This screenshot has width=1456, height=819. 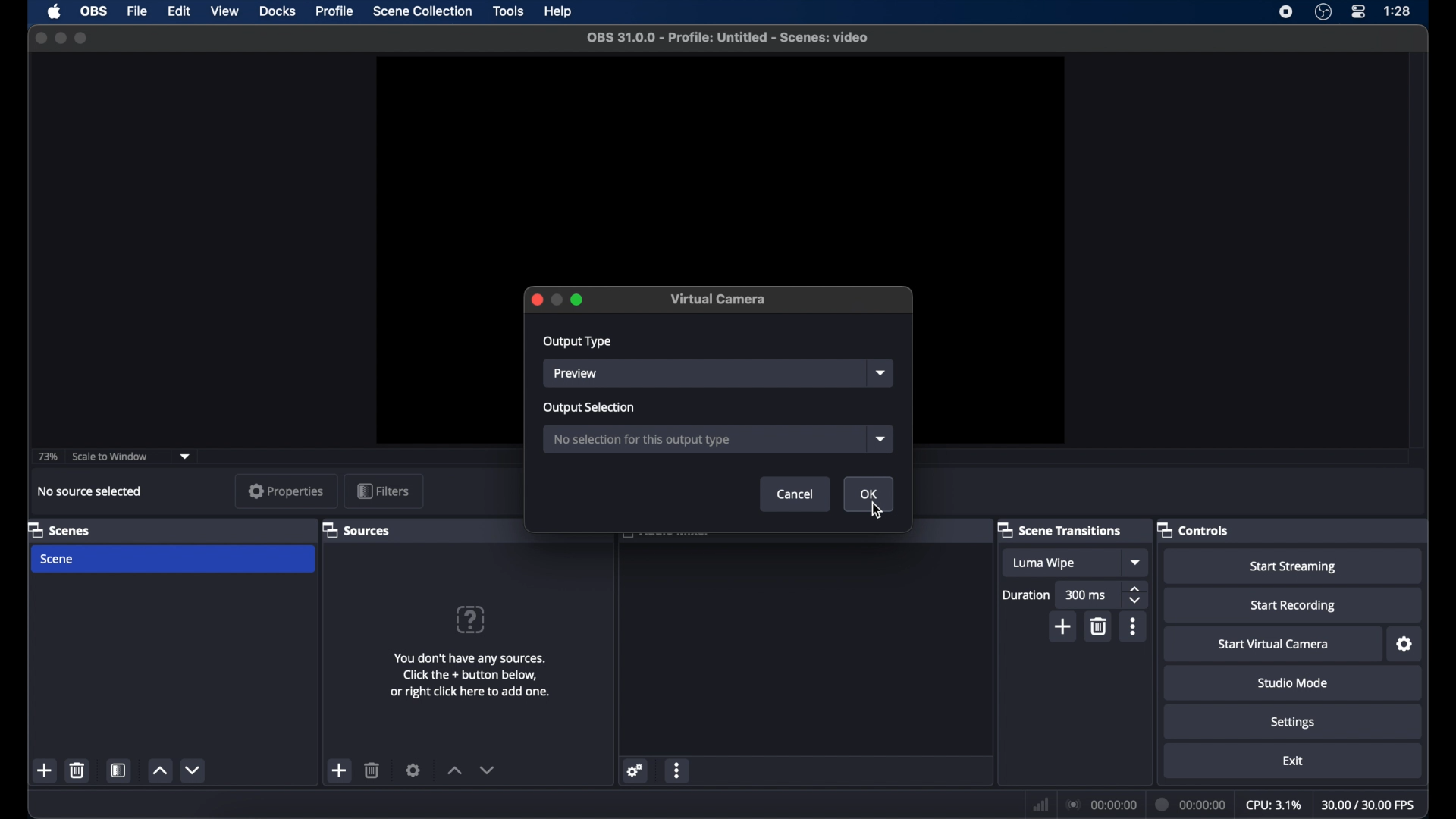 I want to click on file name, so click(x=728, y=38).